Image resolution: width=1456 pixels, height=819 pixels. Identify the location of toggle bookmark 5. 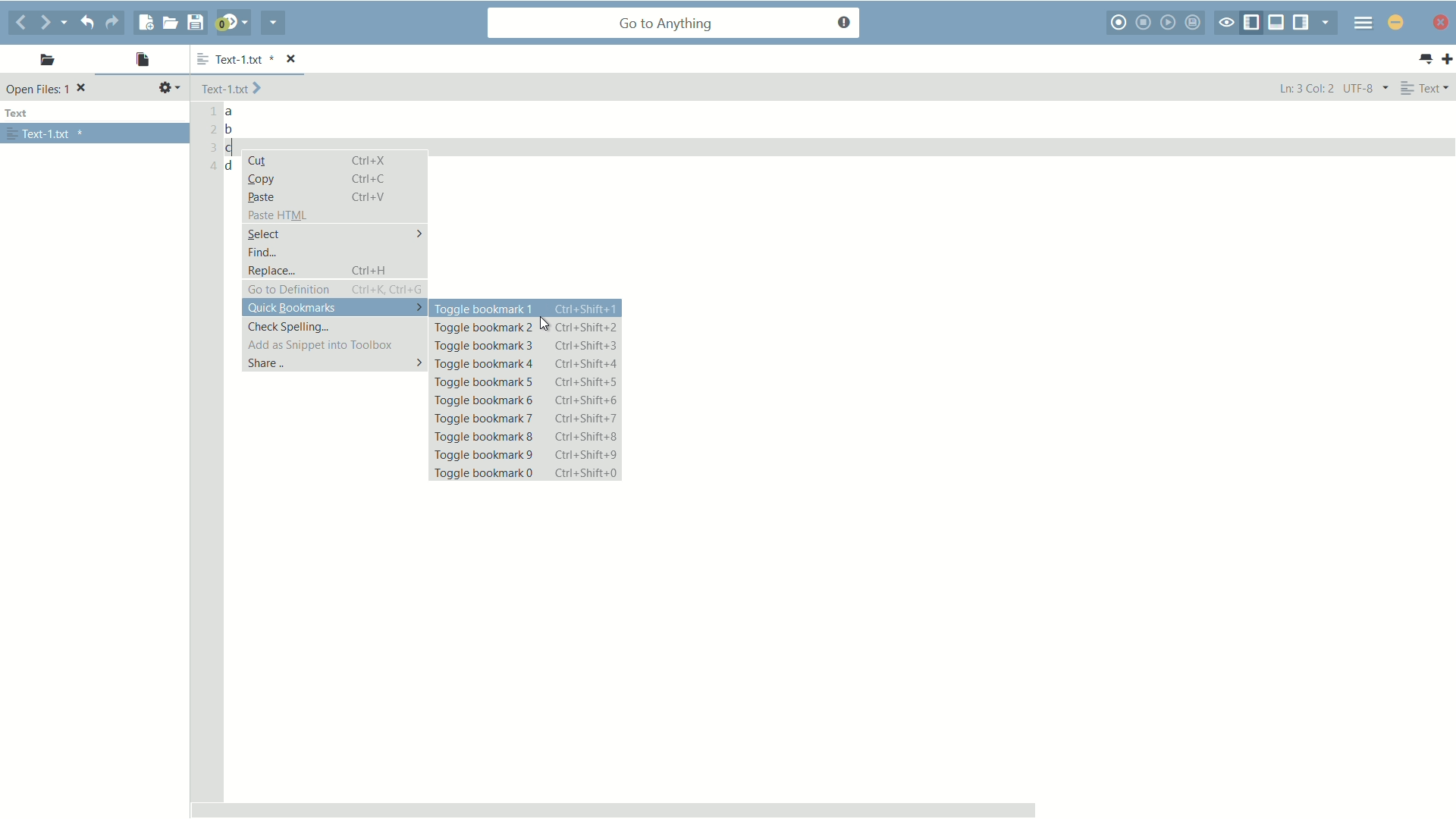
(526, 382).